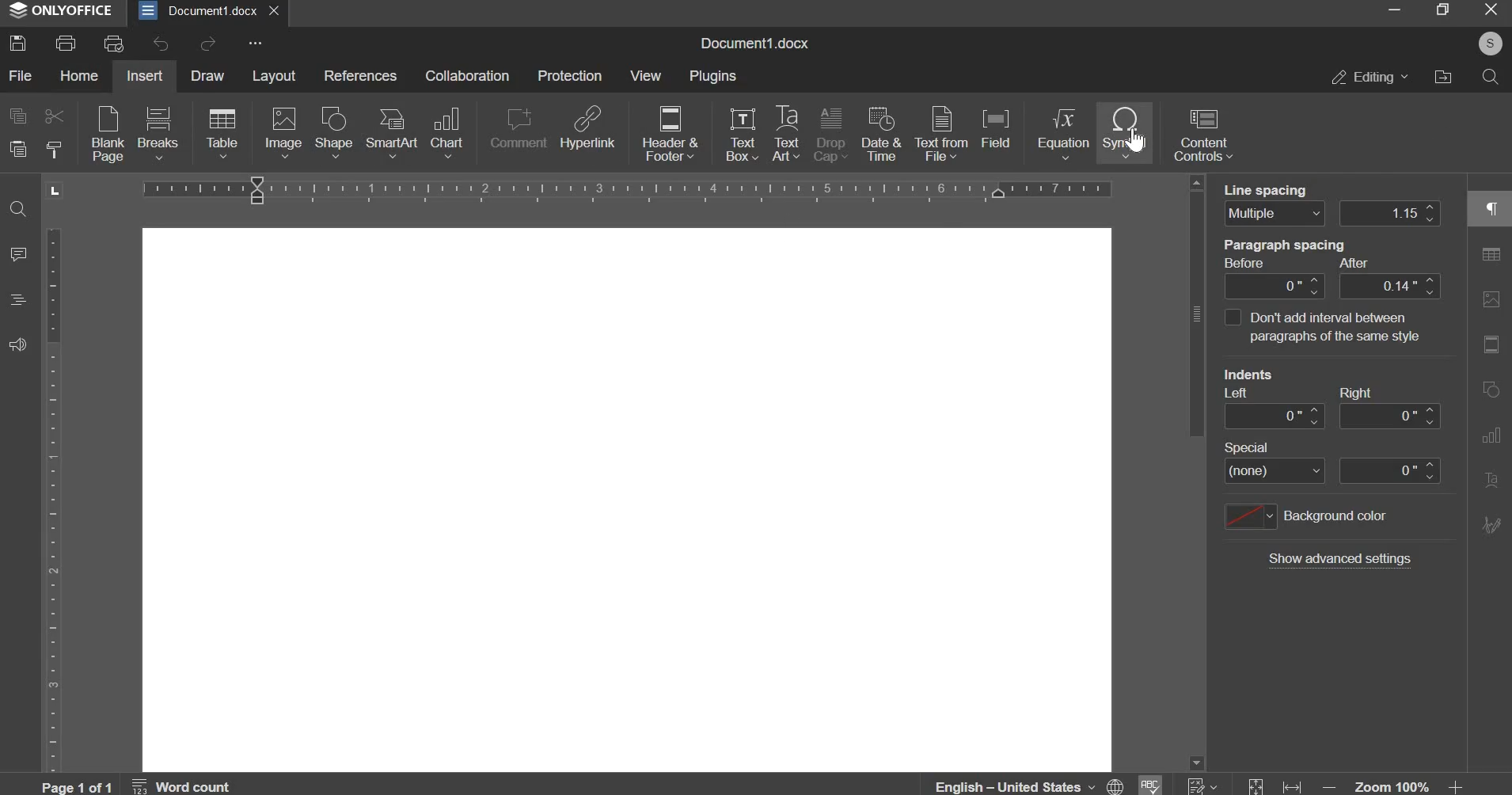 This screenshot has height=795, width=1512. What do you see at coordinates (467, 75) in the screenshot?
I see `collaboration` at bounding box center [467, 75].